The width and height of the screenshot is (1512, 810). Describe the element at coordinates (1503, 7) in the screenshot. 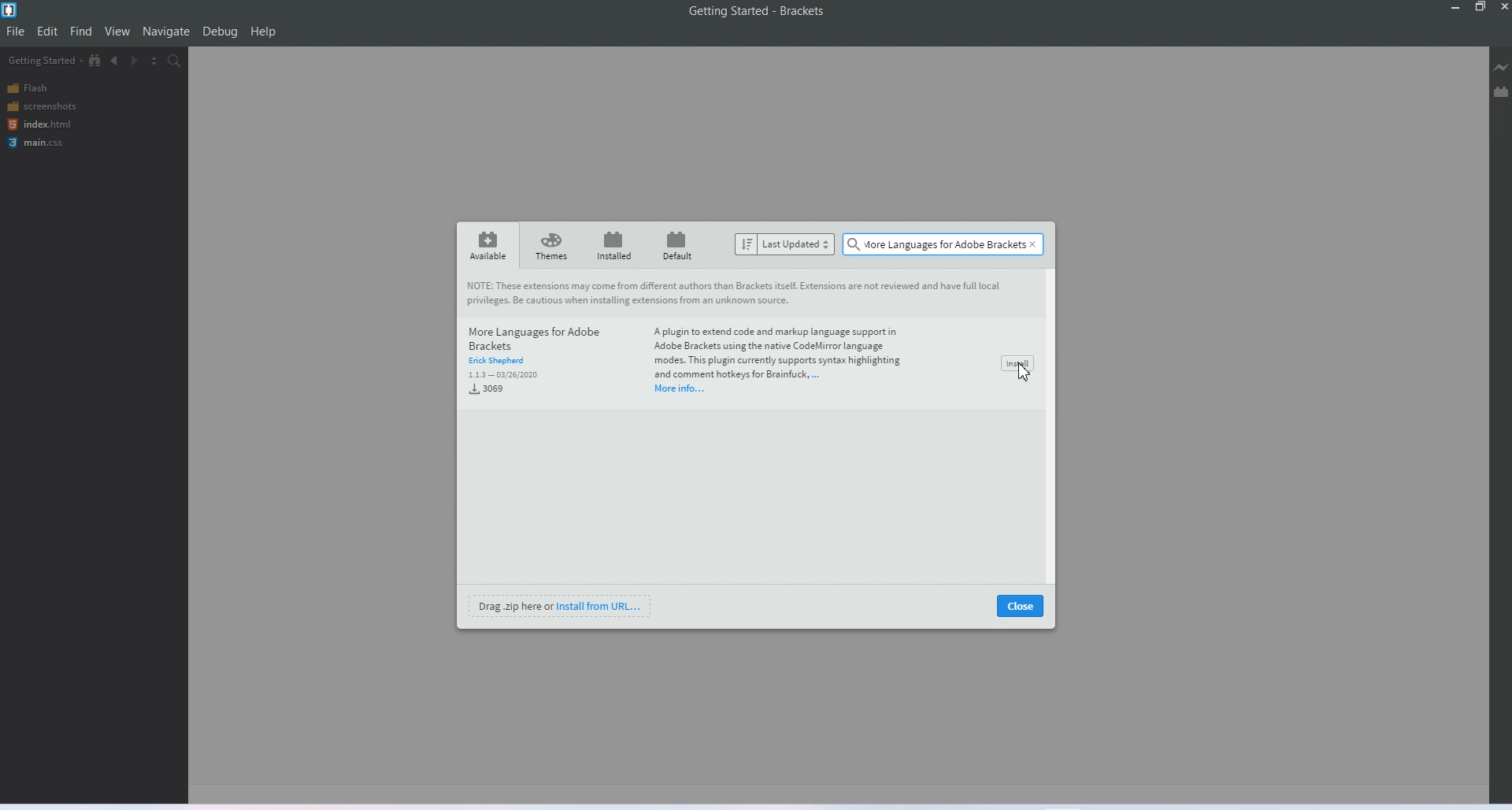

I see `Close` at that location.